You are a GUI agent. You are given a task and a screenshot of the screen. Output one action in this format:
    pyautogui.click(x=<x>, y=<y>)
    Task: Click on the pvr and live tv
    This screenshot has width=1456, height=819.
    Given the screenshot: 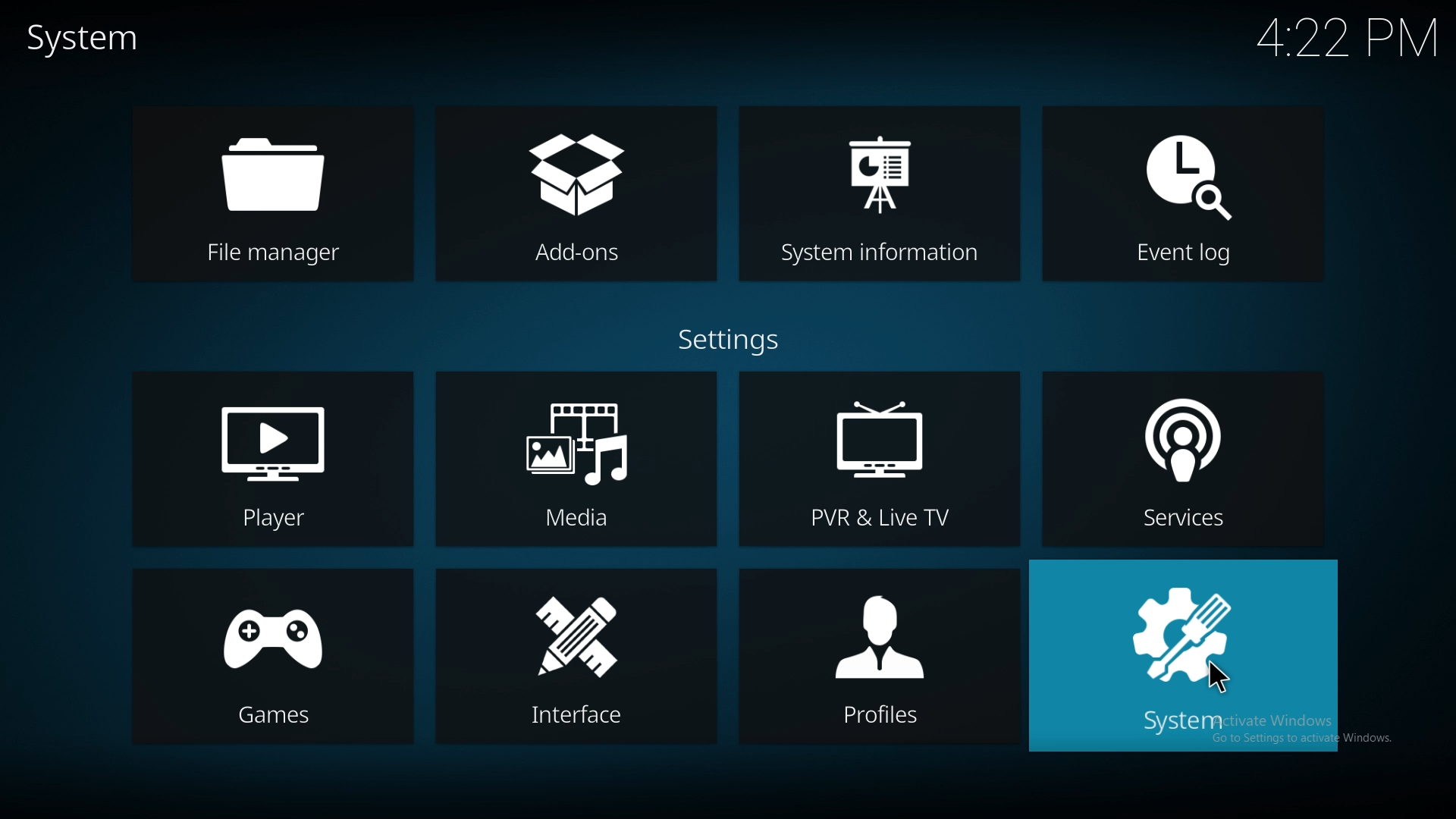 What is the action you would take?
    pyautogui.click(x=881, y=460)
    